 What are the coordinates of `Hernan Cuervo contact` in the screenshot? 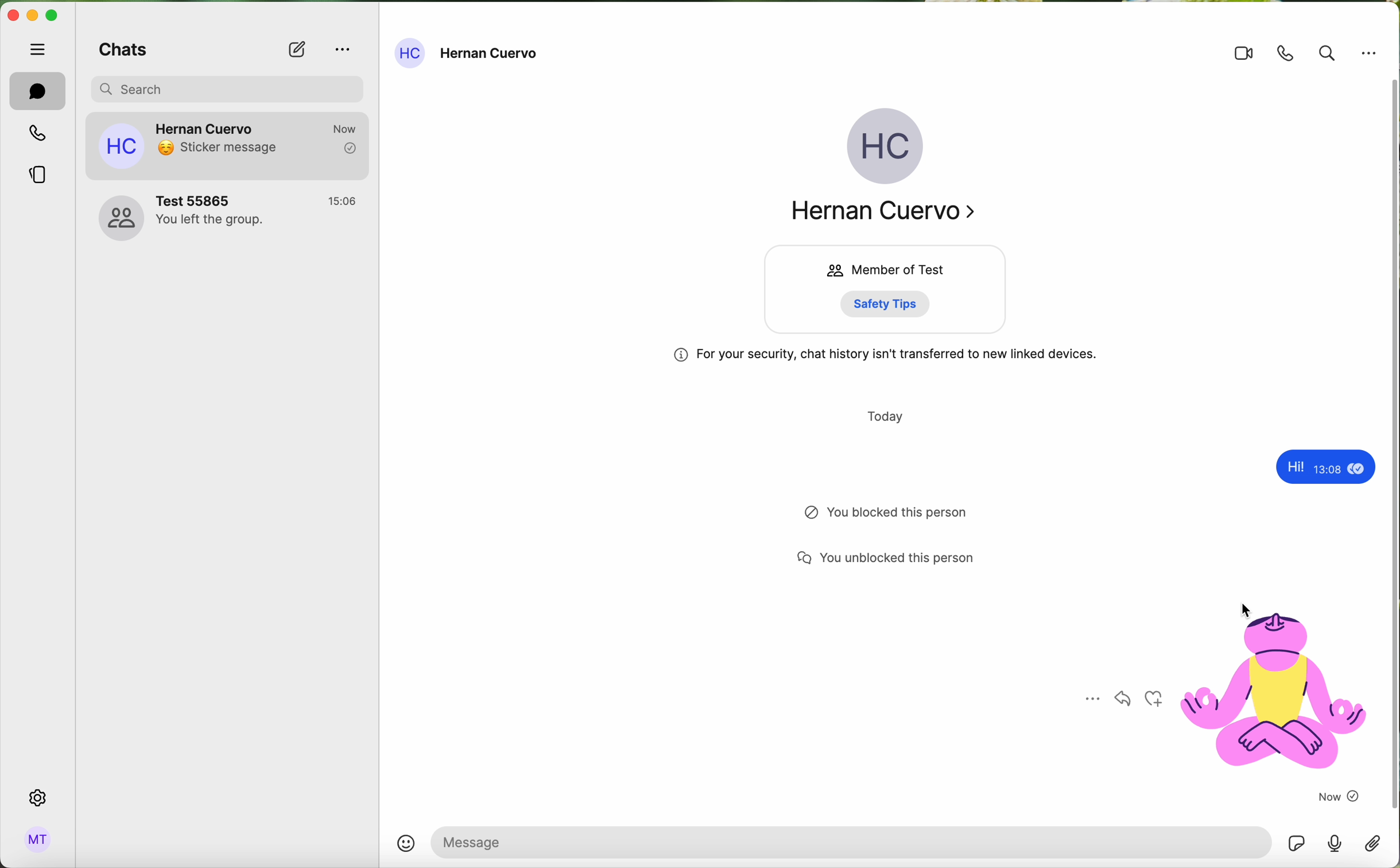 It's located at (229, 223).